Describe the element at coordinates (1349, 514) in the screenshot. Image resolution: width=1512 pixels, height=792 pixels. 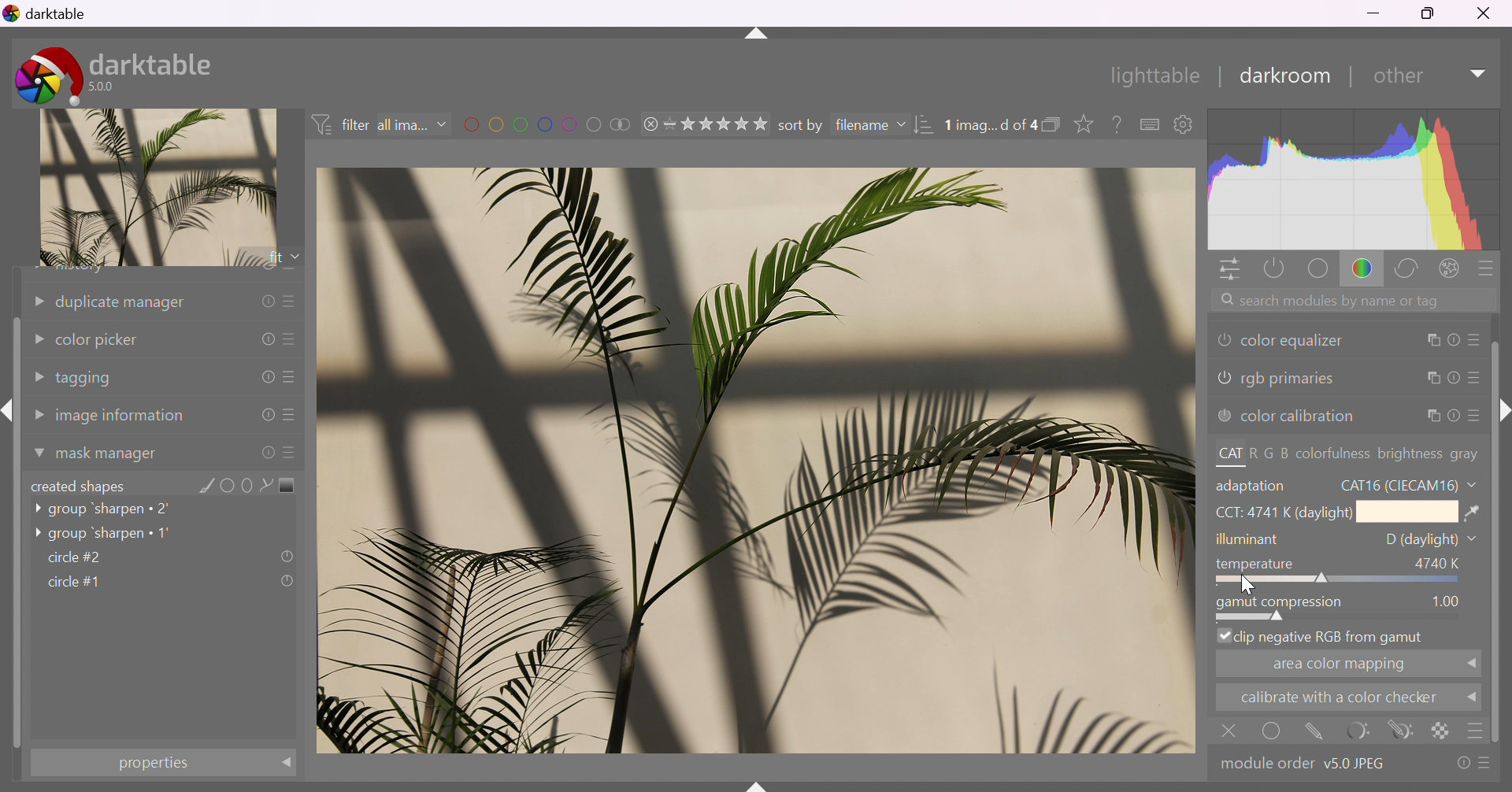
I see `CCT` at that location.